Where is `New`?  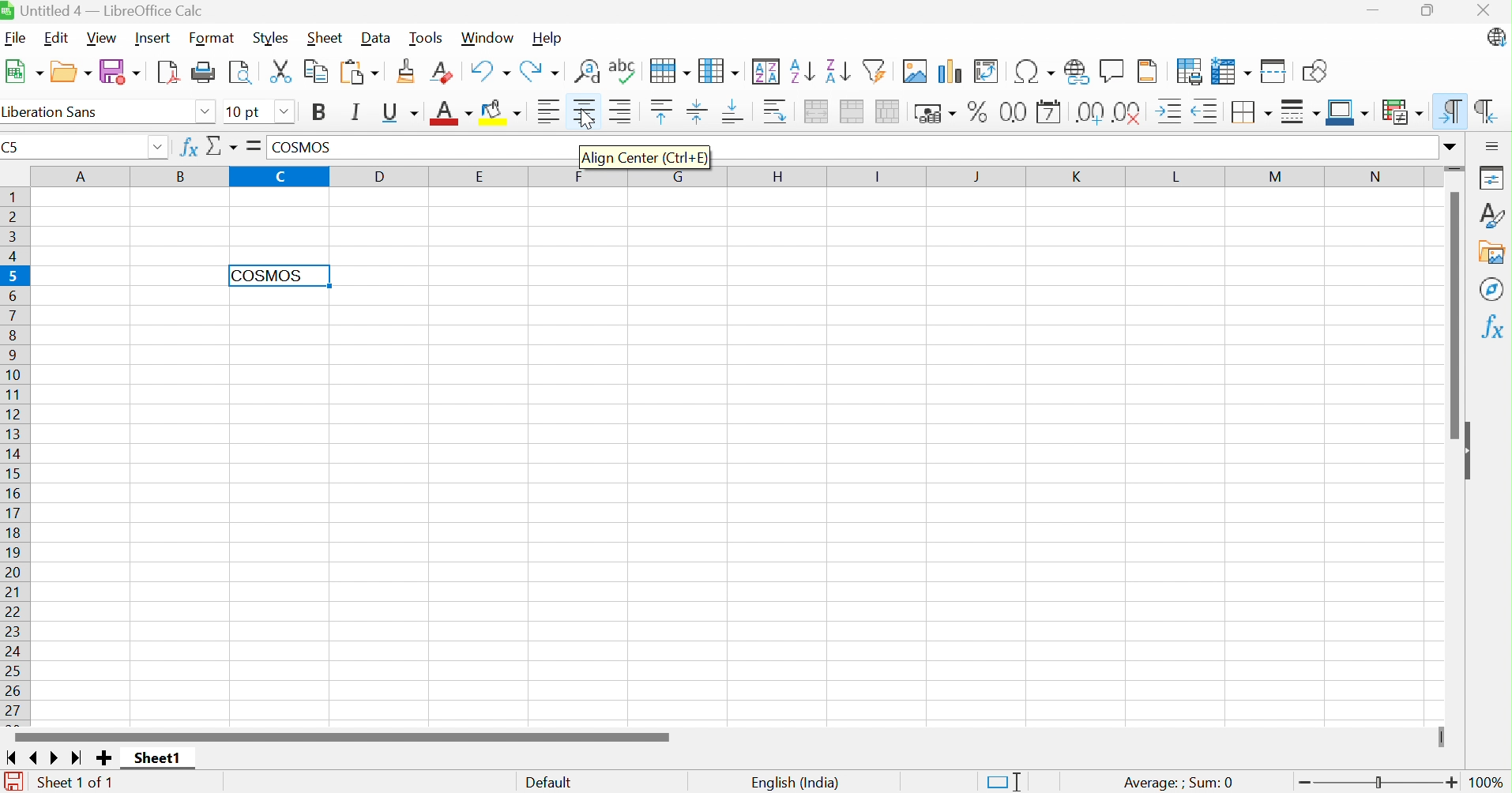 New is located at coordinates (24, 71).